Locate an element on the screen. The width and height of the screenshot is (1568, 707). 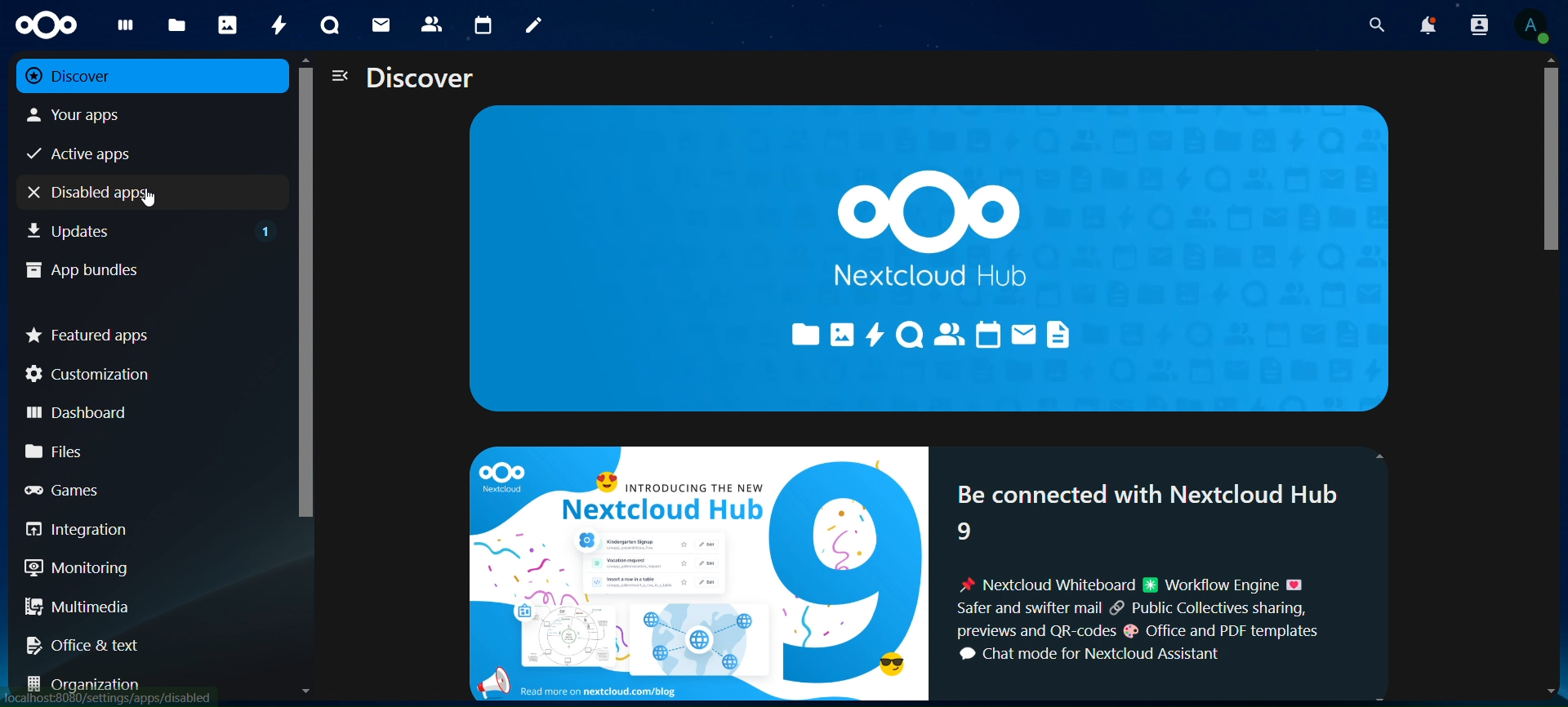
updates is located at coordinates (152, 229).